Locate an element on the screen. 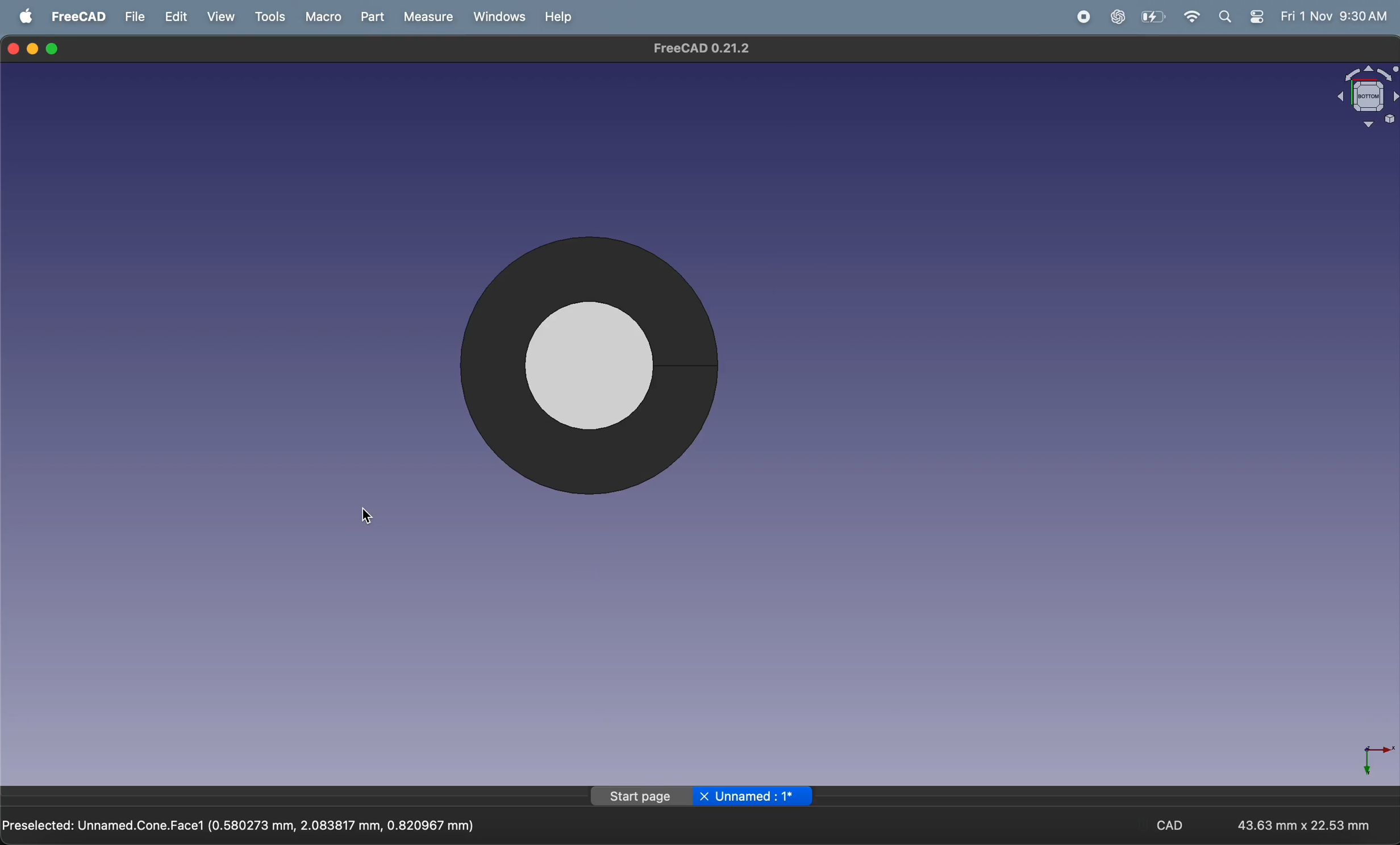 The width and height of the screenshot is (1400, 845). view is located at coordinates (224, 16).